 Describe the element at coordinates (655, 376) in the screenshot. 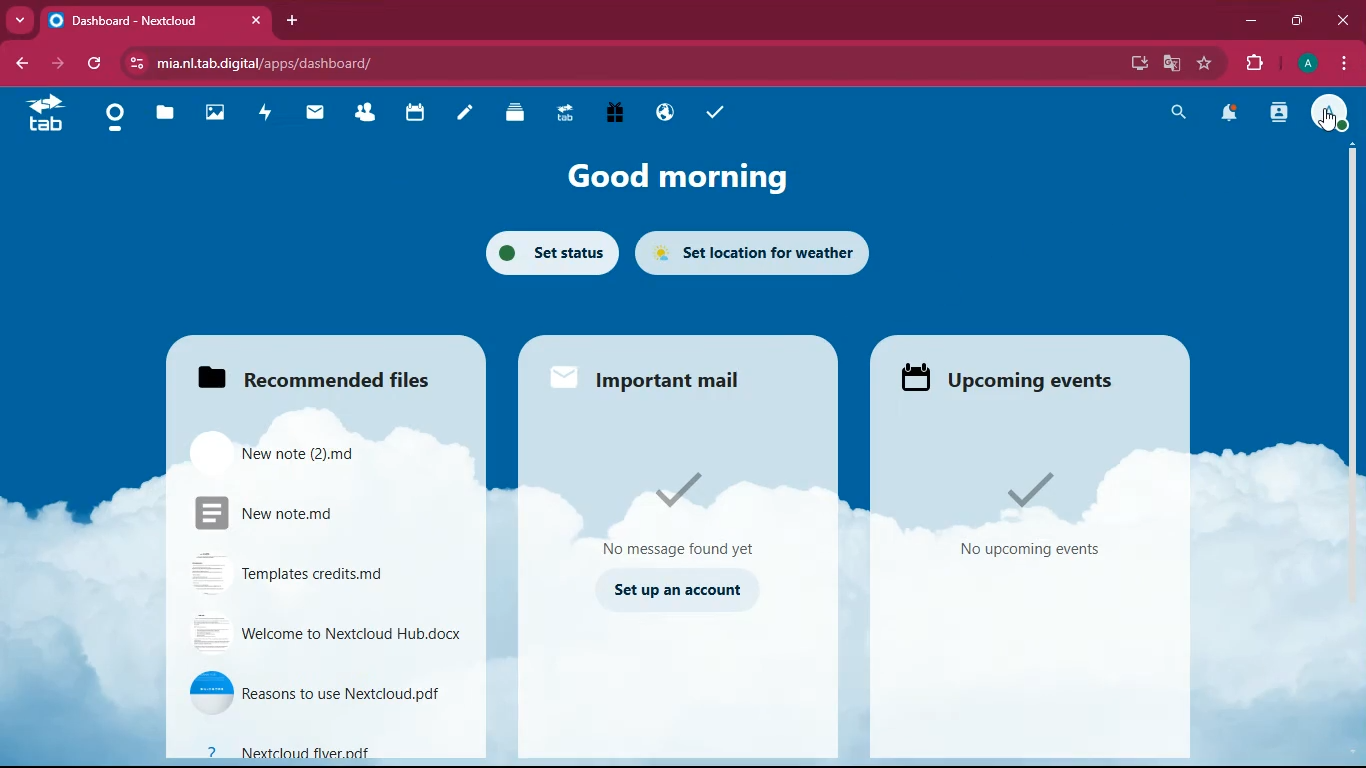

I see `mail` at that location.